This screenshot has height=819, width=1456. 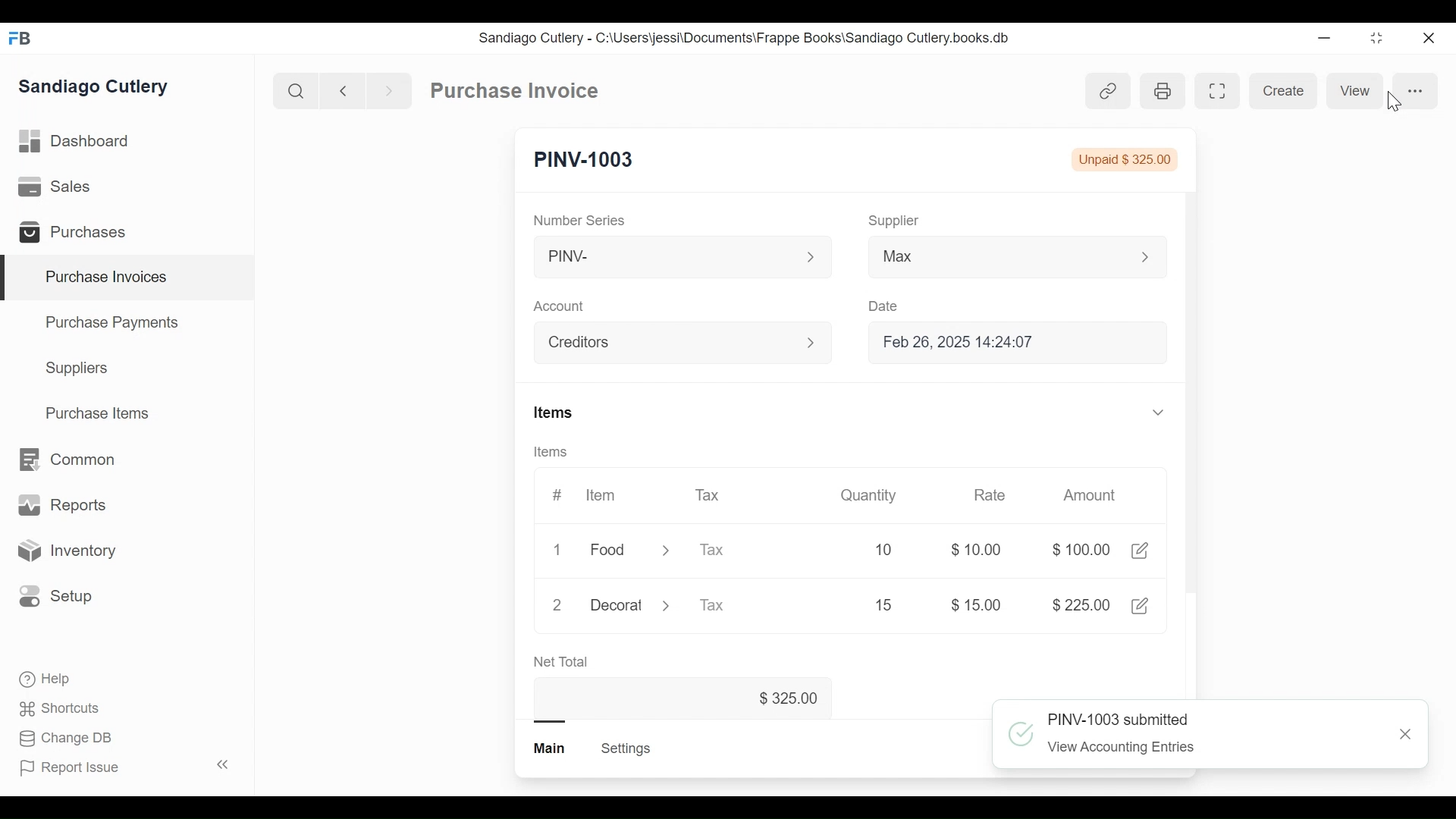 I want to click on Item, so click(x=601, y=494).